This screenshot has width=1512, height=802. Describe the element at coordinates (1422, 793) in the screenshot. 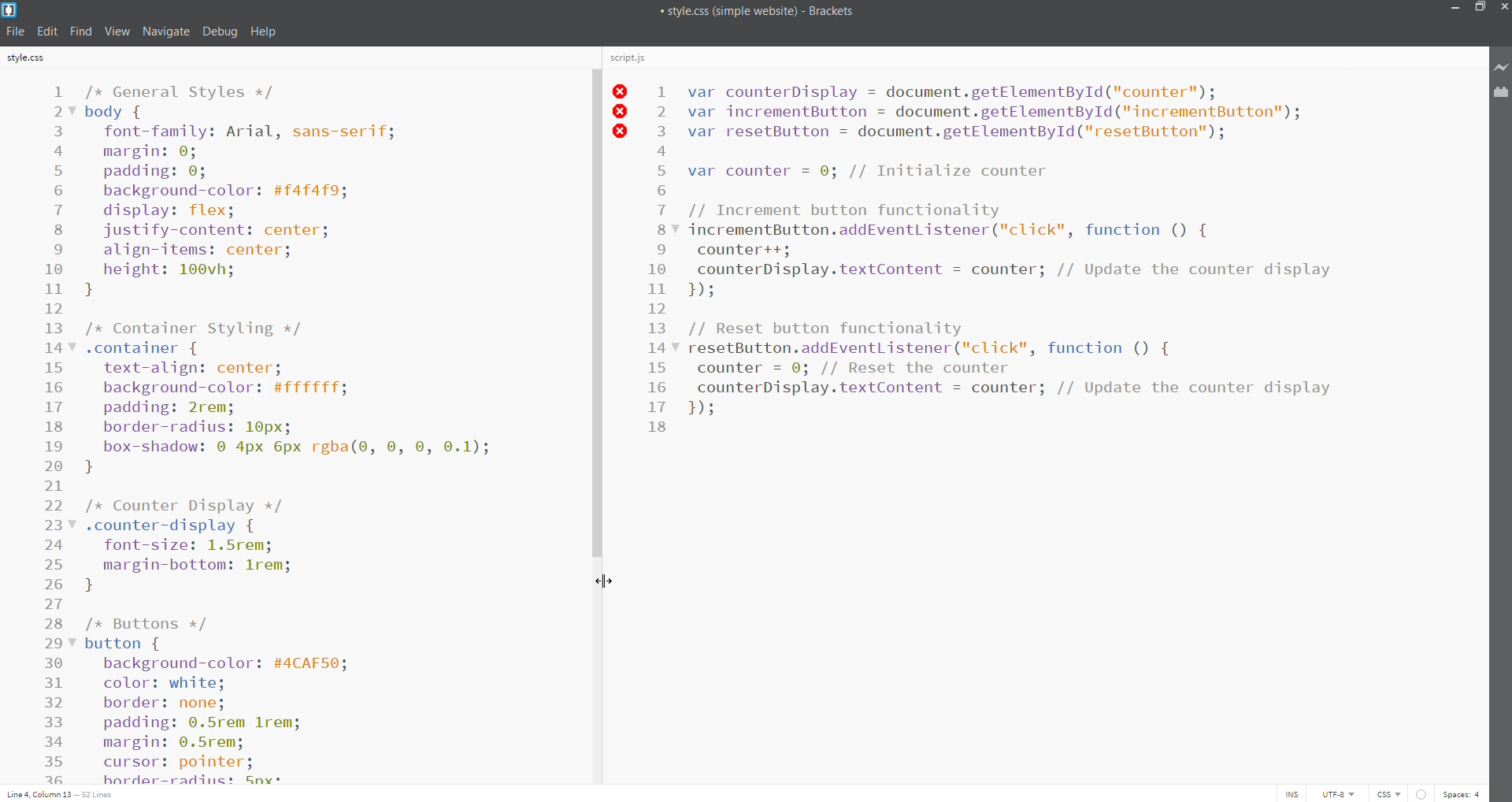

I see `errors` at that location.